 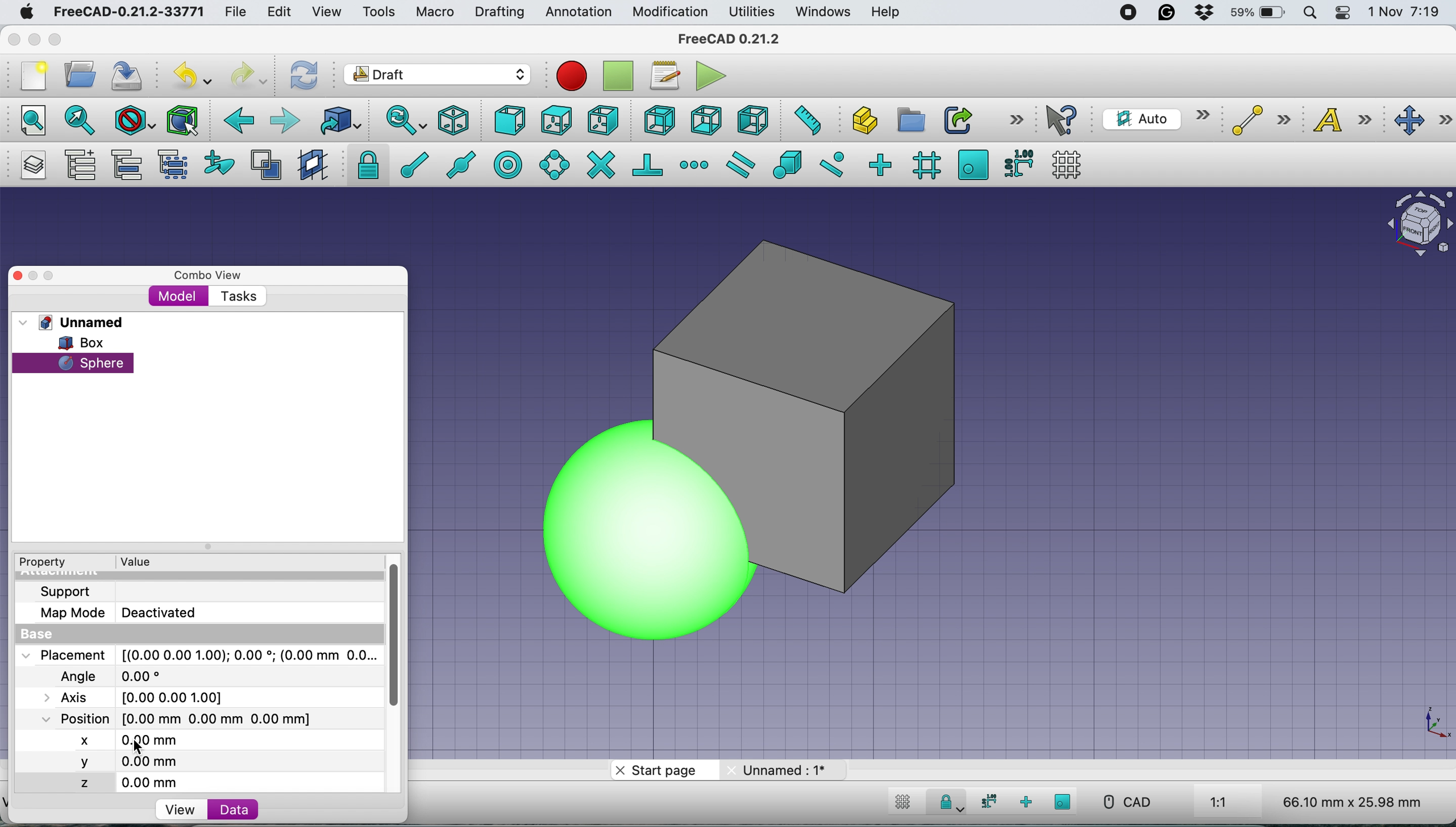 I want to click on record macros, so click(x=572, y=76).